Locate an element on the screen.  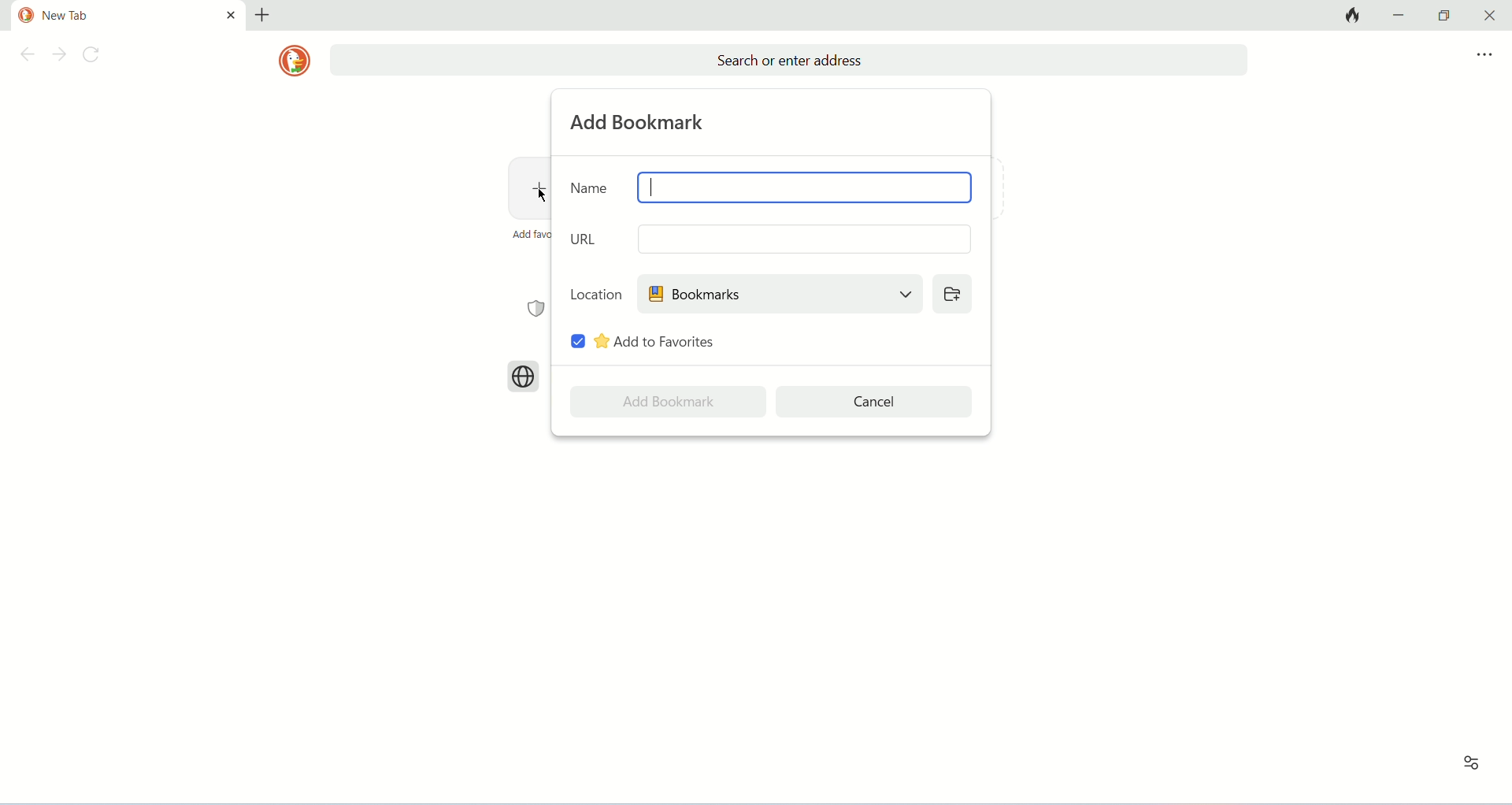
add bookmark is located at coordinates (640, 122).